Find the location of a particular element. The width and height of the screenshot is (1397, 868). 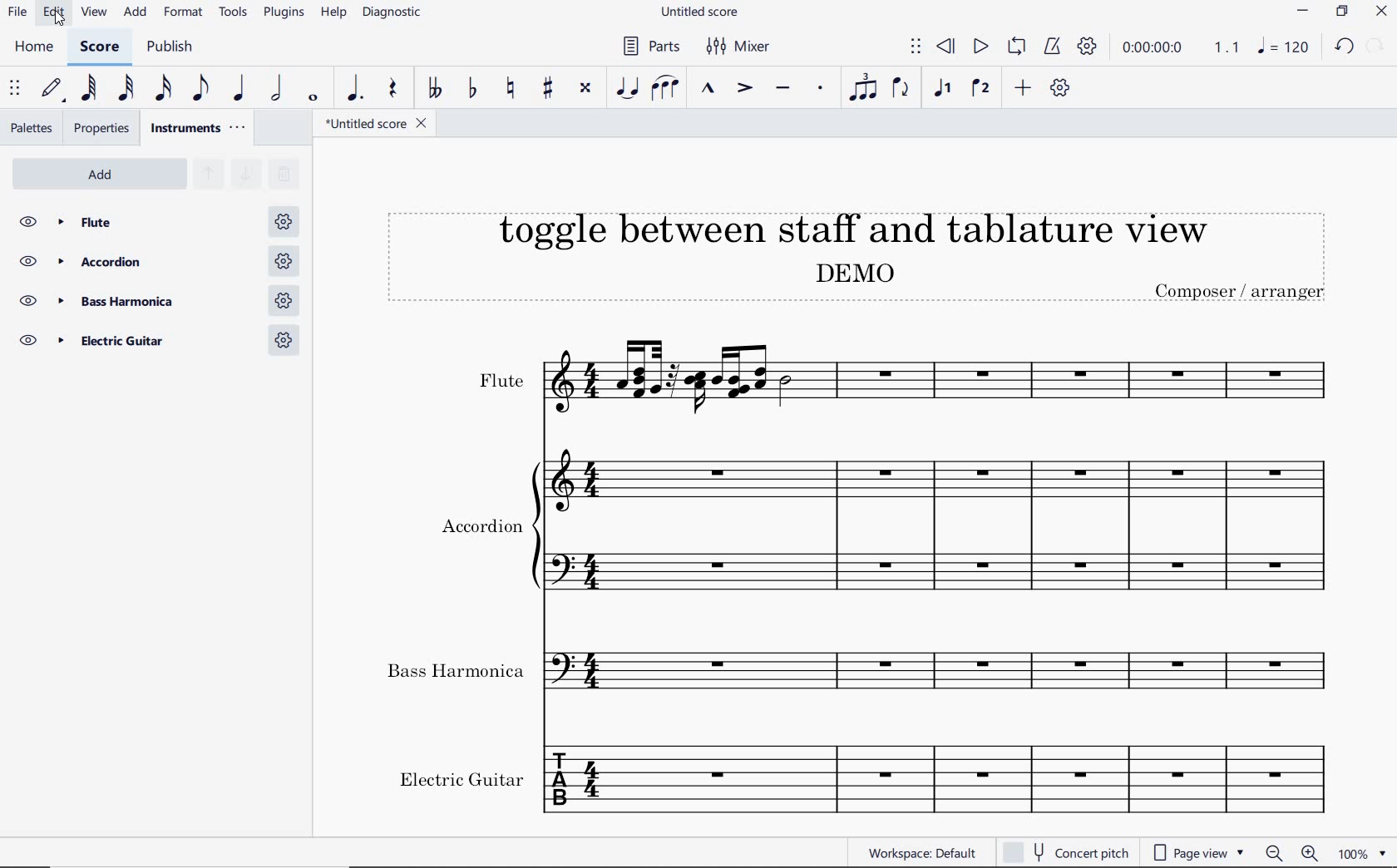

ADD is located at coordinates (106, 172).